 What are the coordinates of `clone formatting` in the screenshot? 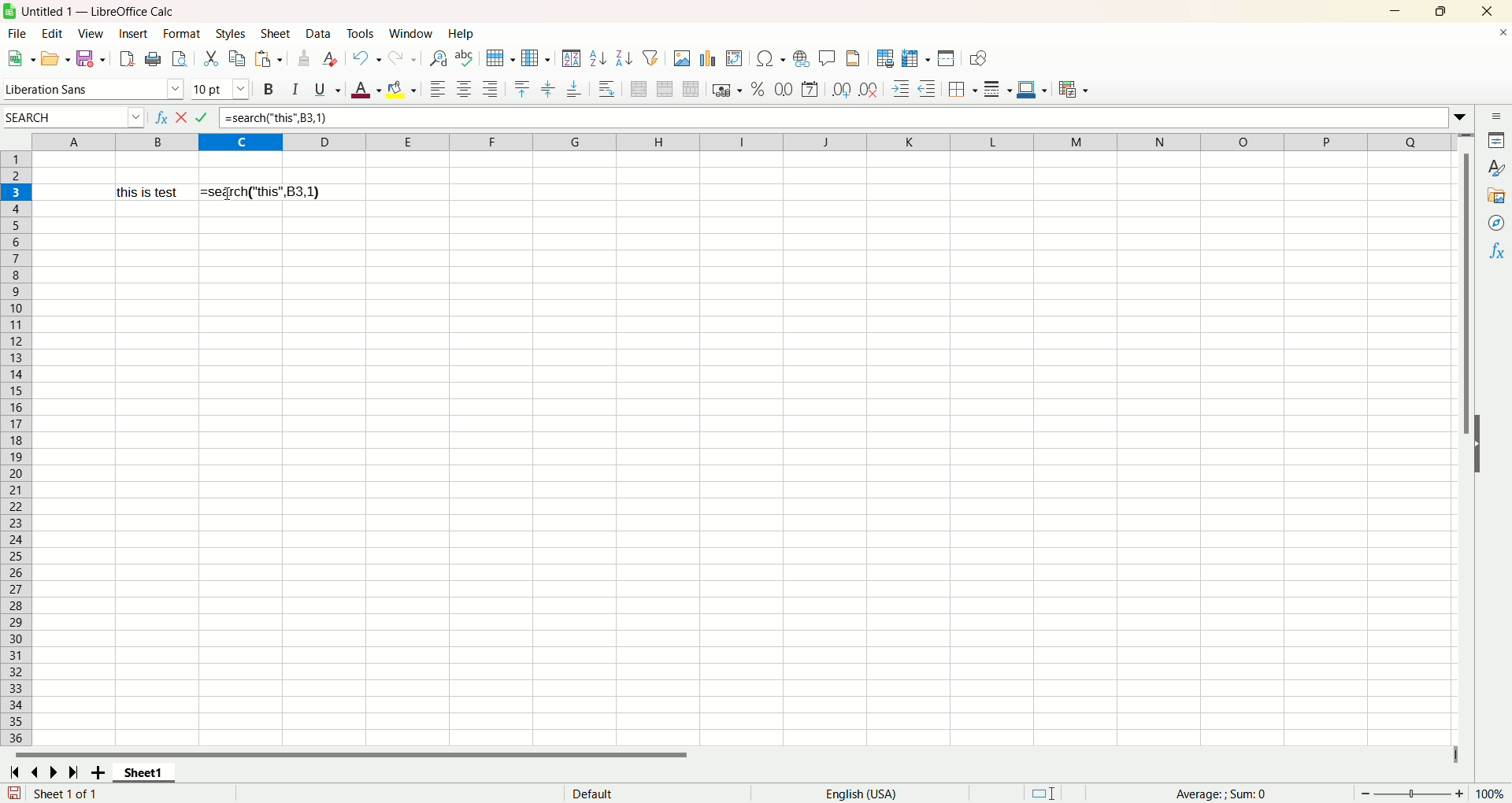 It's located at (306, 57).